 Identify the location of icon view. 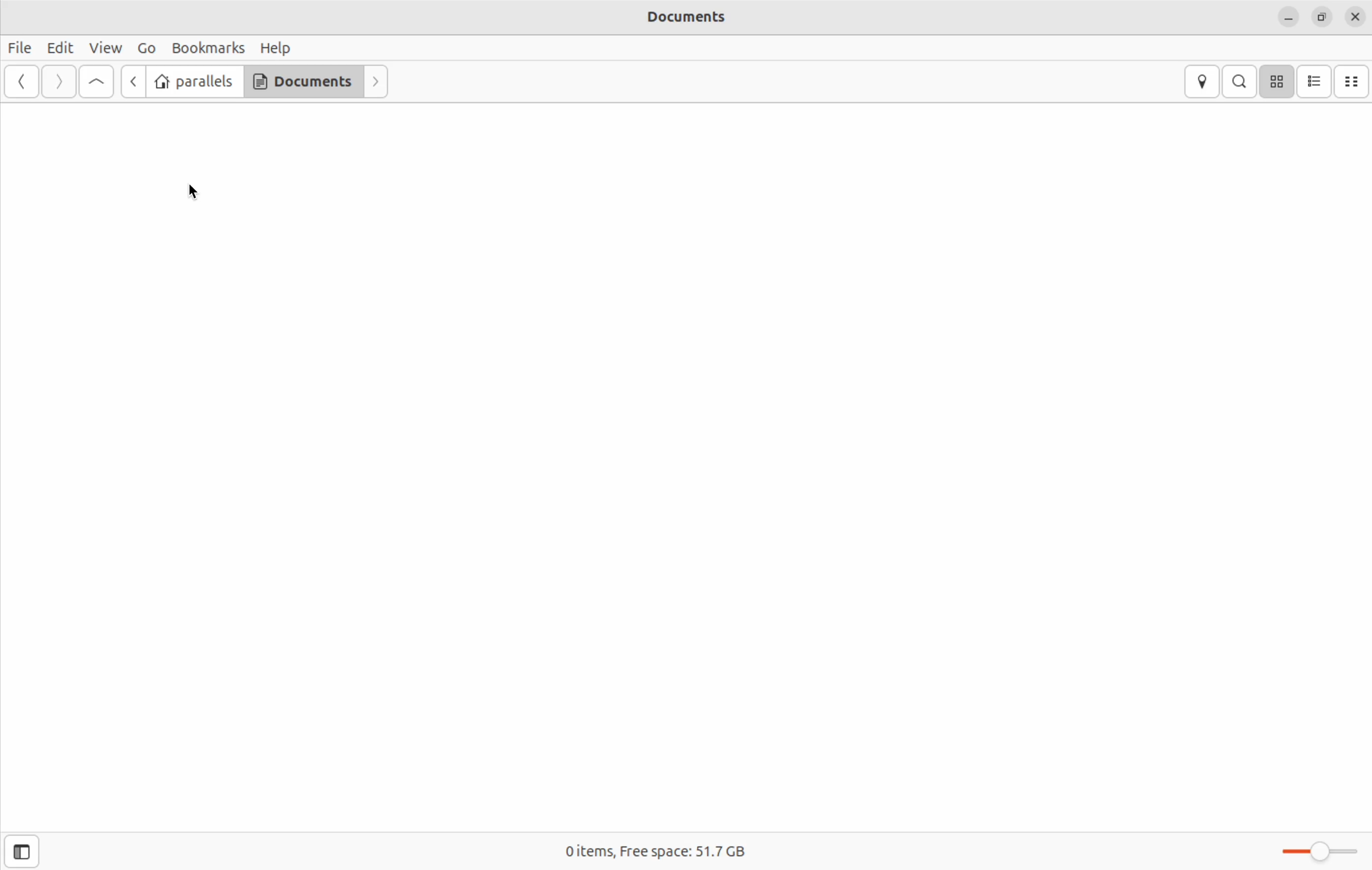
(1281, 81).